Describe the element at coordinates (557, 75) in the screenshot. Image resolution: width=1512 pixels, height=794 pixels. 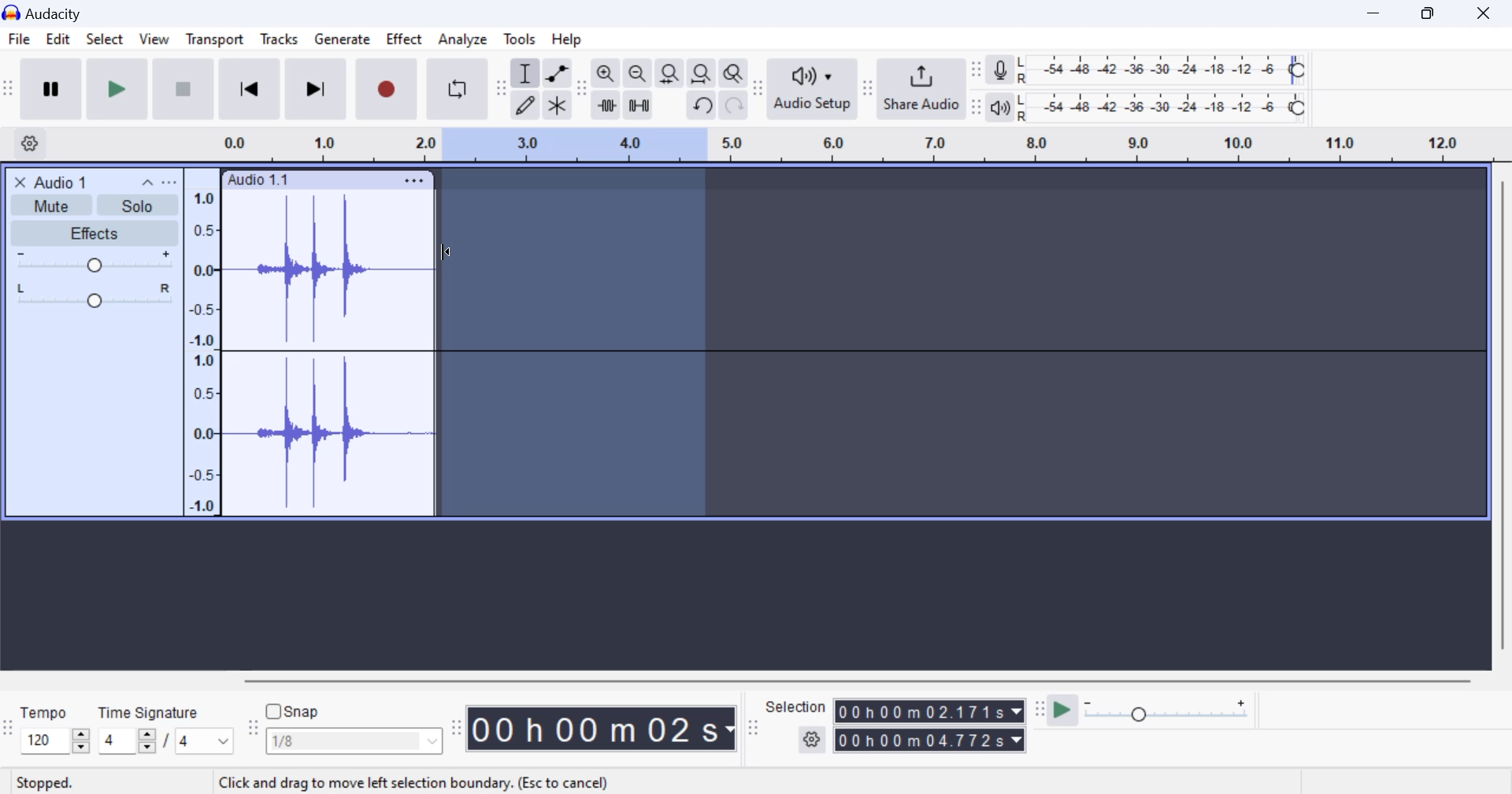
I see `envelop tool` at that location.